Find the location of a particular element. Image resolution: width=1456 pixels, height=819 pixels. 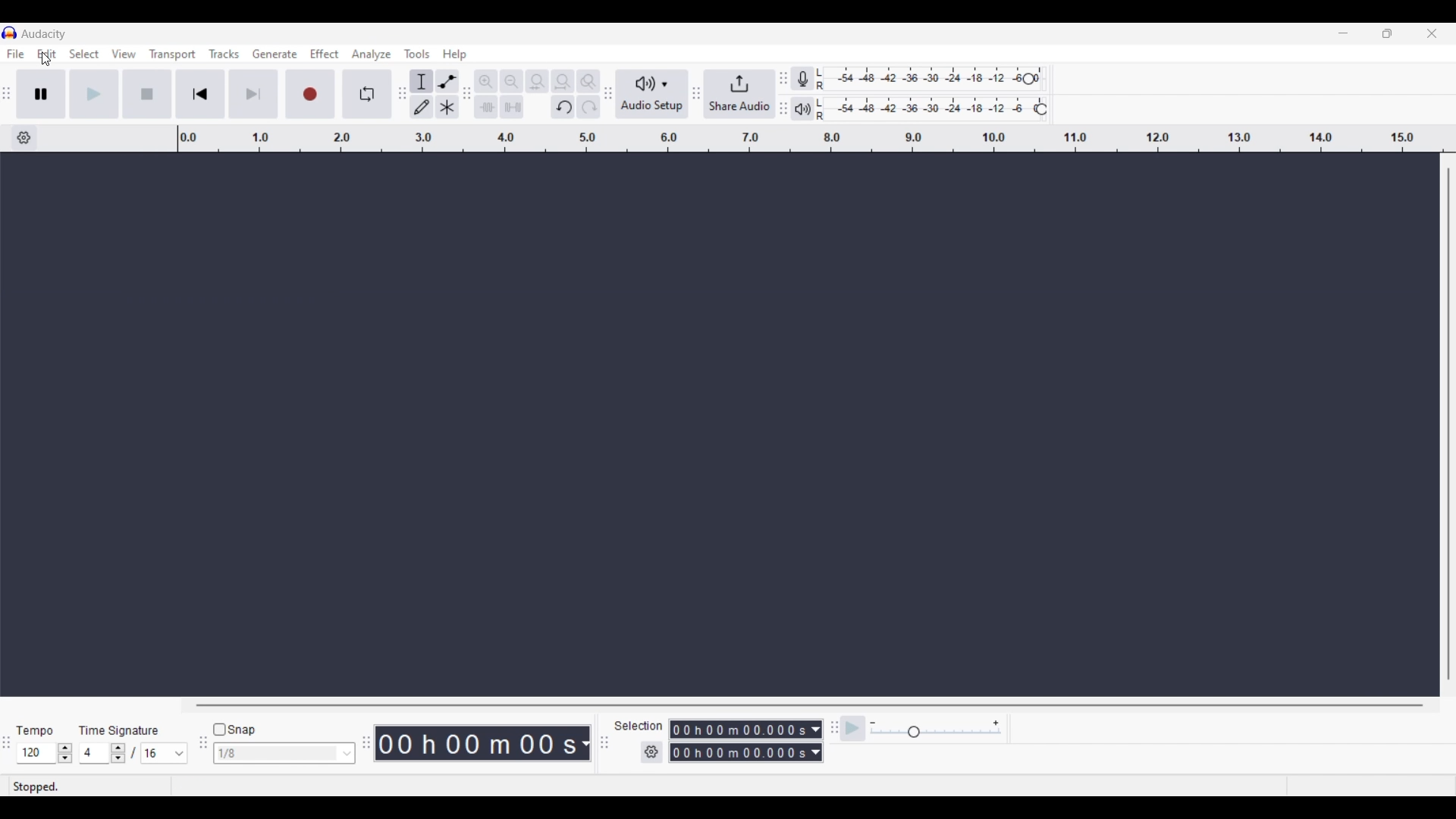

Zoom toggle is located at coordinates (588, 81).